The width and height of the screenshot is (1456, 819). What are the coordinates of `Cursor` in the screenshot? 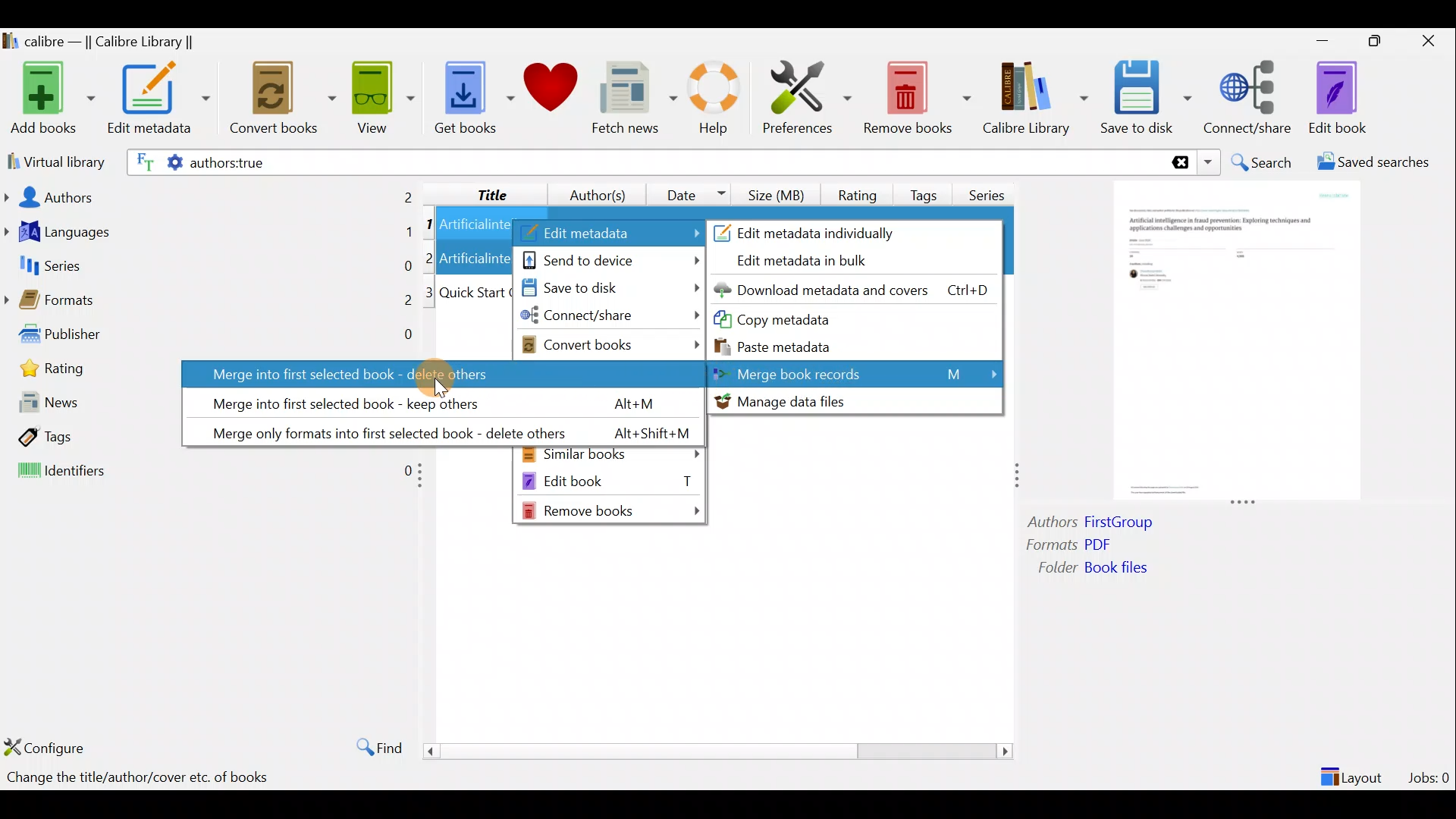 It's located at (436, 375).